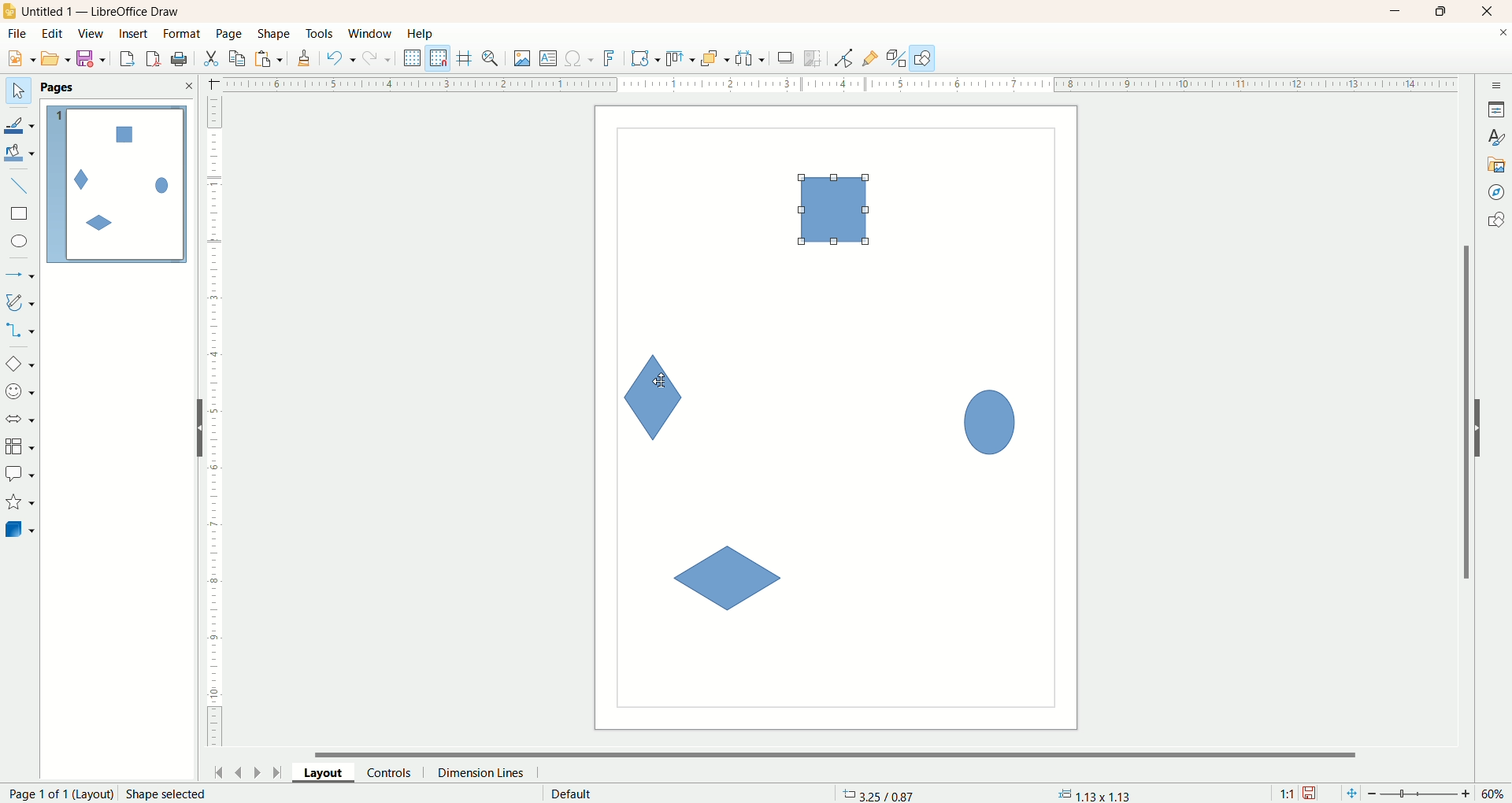  What do you see at coordinates (126, 56) in the screenshot?
I see `export` at bounding box center [126, 56].